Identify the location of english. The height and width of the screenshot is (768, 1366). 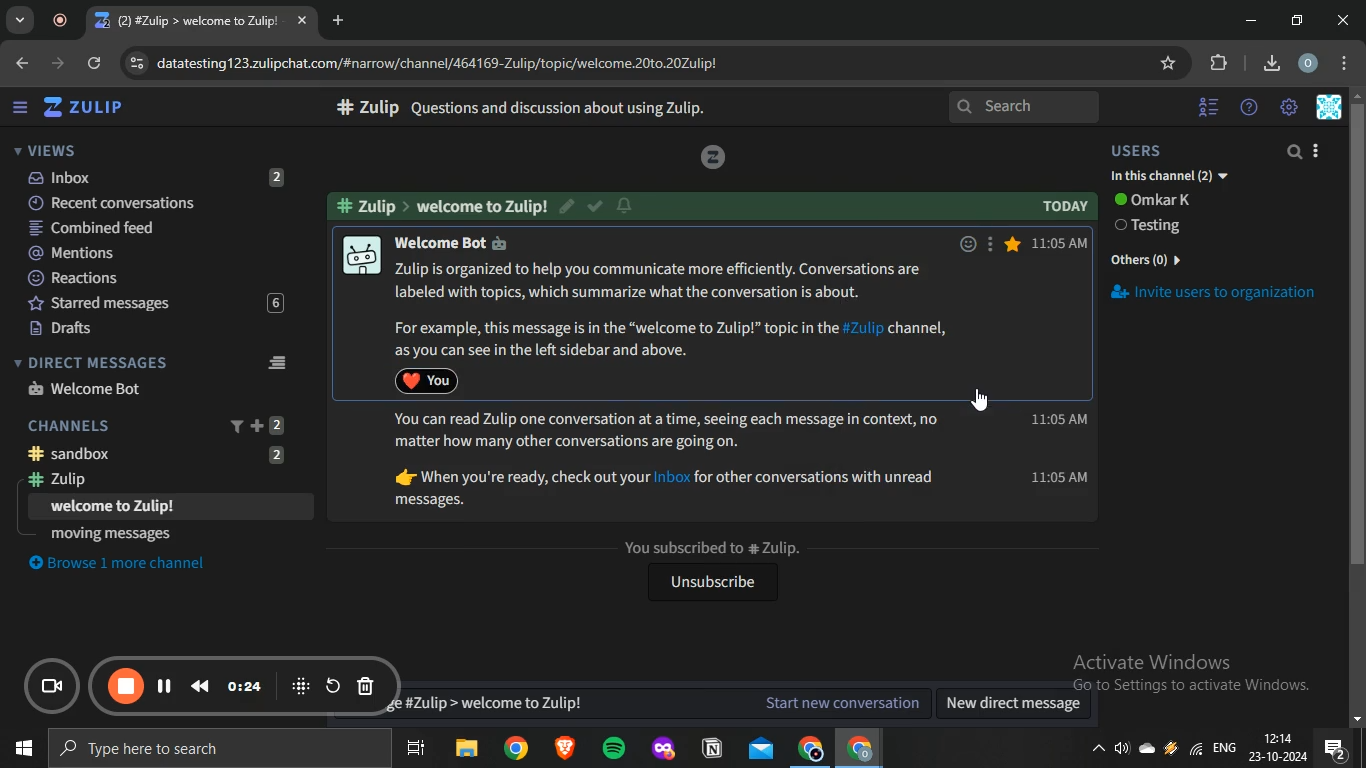
(1224, 750).